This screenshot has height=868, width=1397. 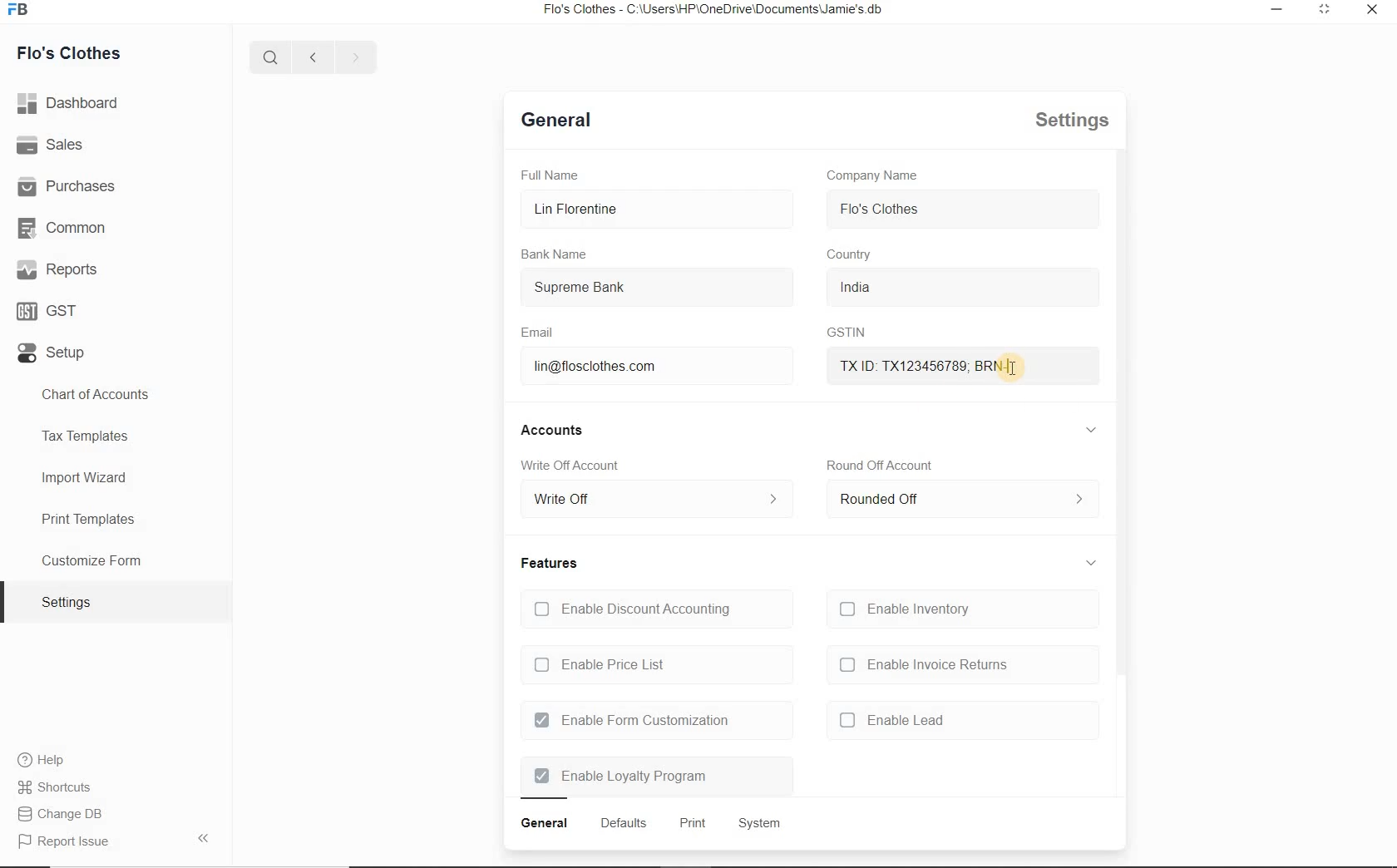 I want to click on rounded off, so click(x=958, y=503).